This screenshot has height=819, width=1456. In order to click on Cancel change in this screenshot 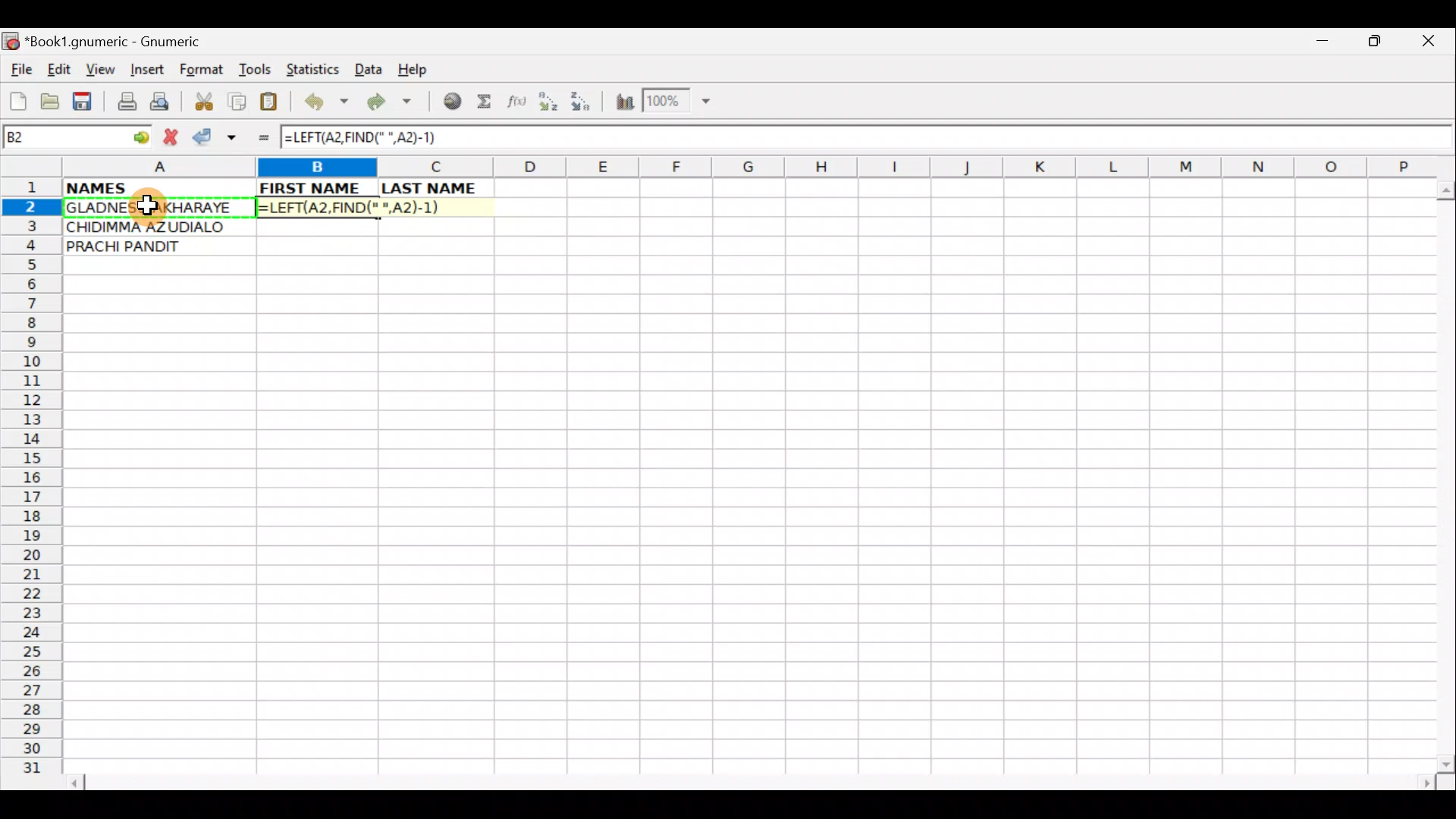, I will do `click(174, 134)`.